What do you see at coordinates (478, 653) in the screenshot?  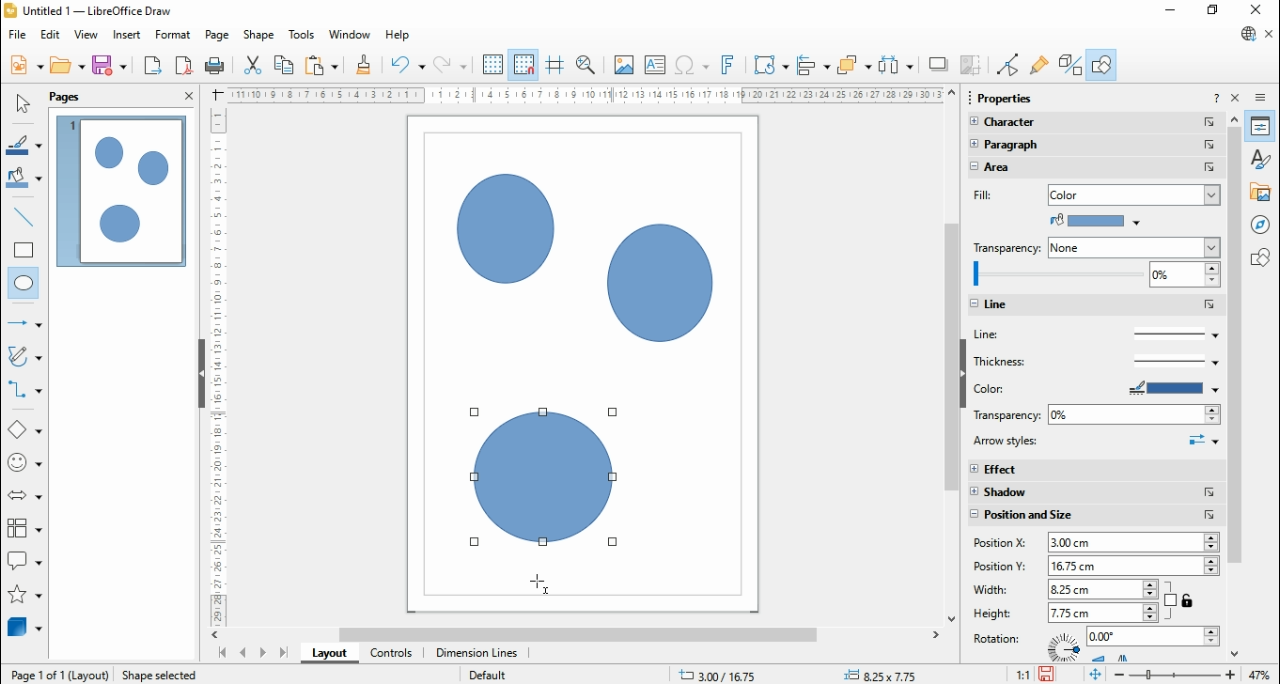 I see `dimension lines` at bounding box center [478, 653].